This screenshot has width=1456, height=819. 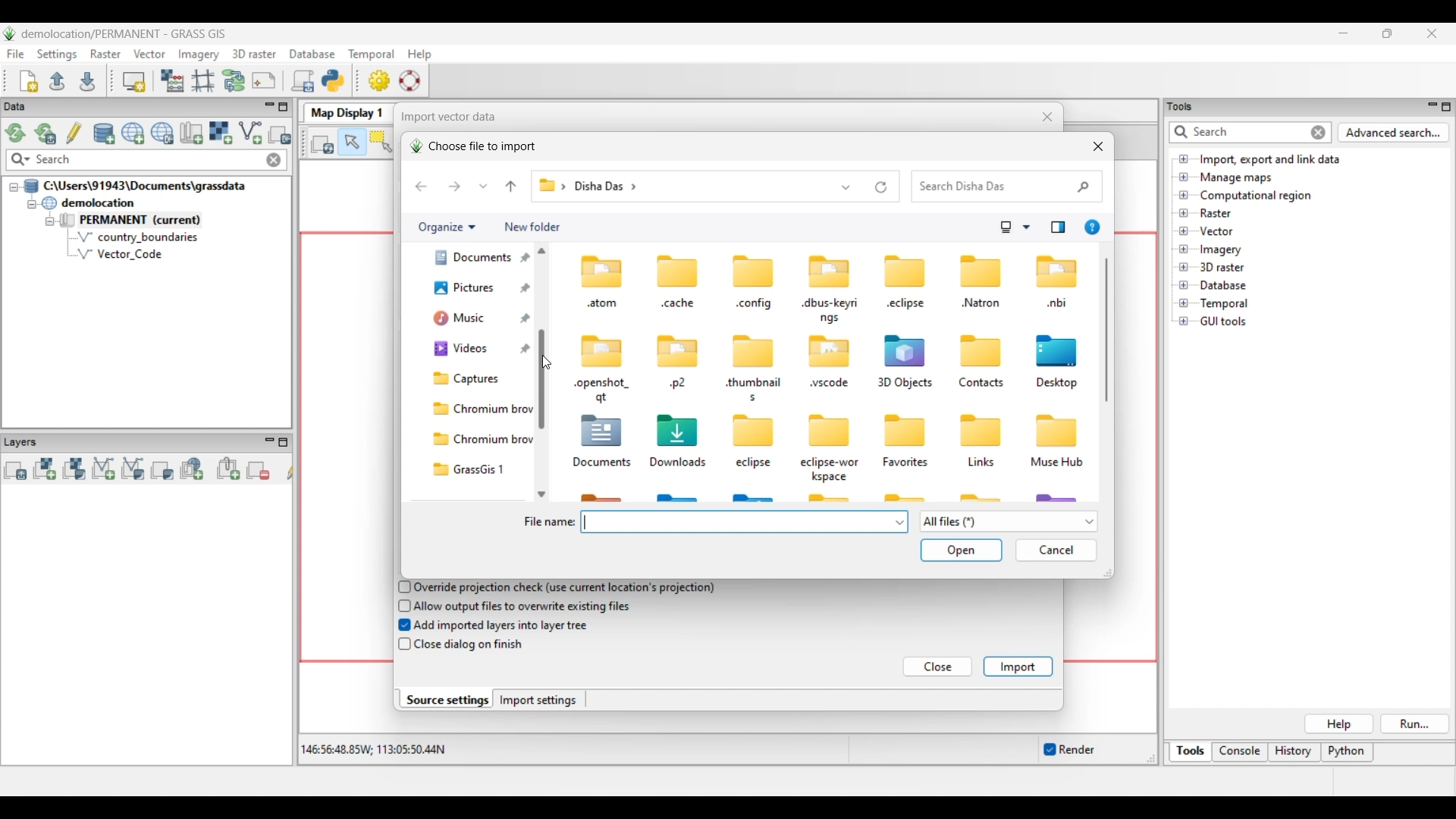 What do you see at coordinates (479, 409) in the screenshot?
I see `Chromium browser folder` at bounding box center [479, 409].